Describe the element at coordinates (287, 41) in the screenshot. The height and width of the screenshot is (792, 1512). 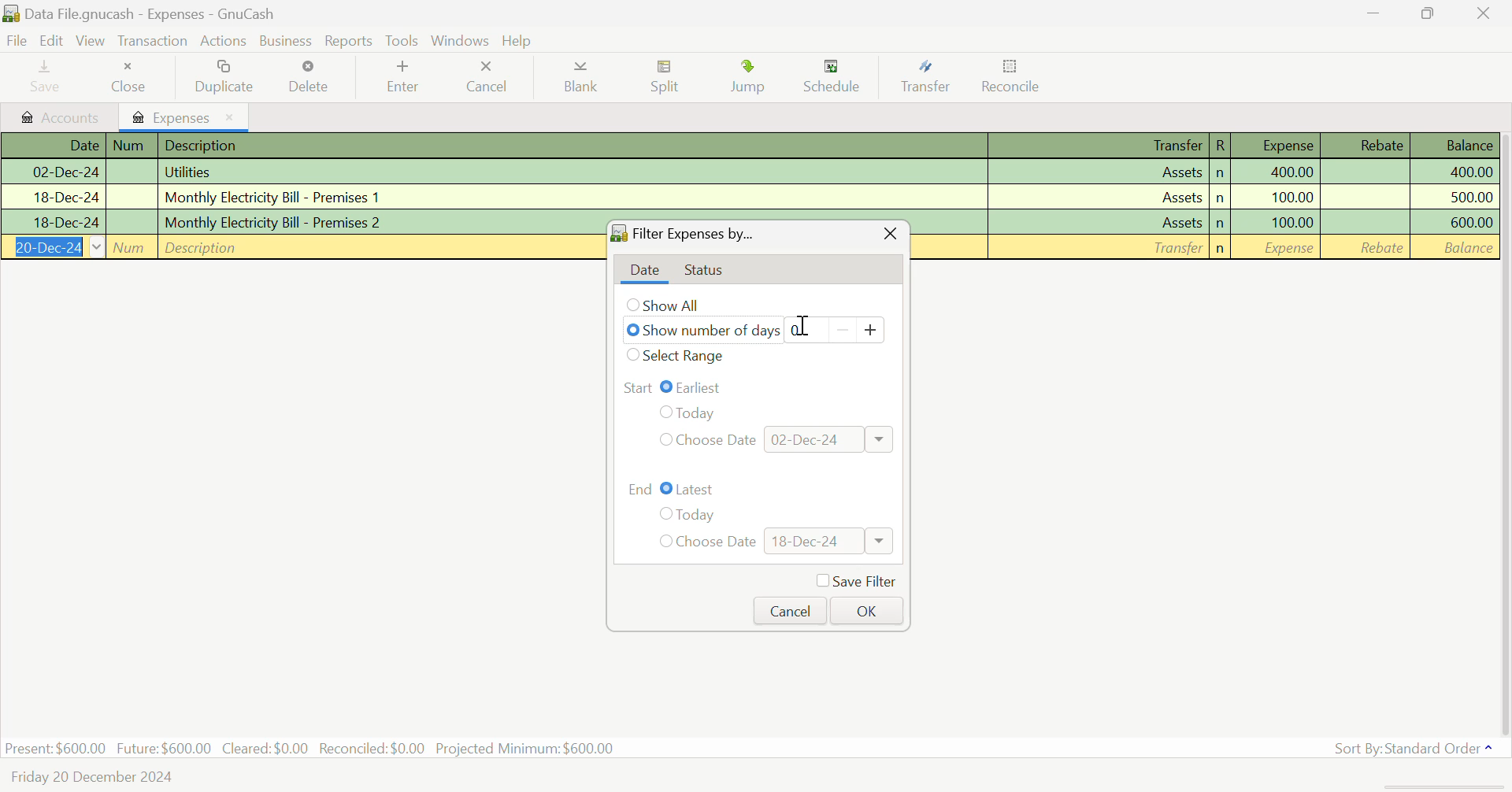
I see `Business` at that location.